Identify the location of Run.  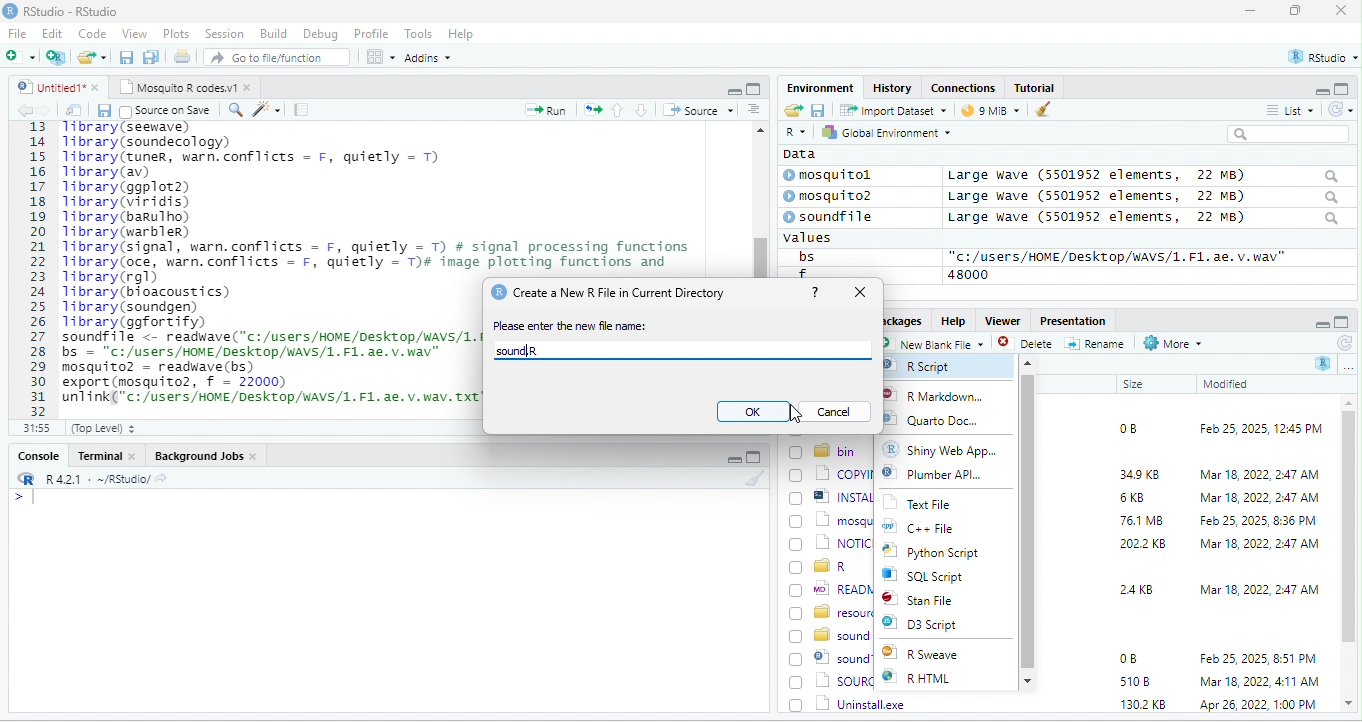
(542, 110).